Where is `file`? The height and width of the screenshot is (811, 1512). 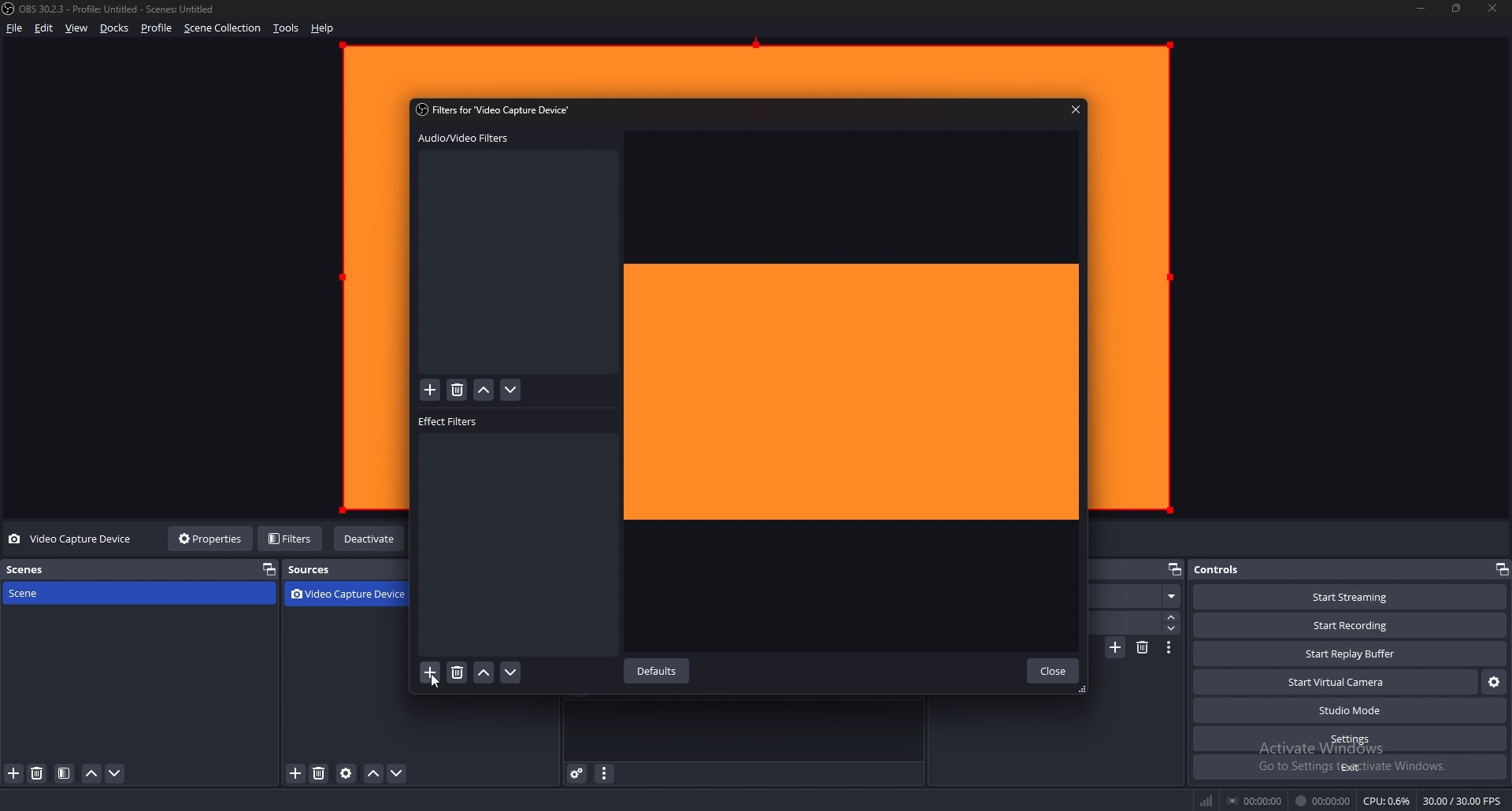
file is located at coordinates (13, 28).